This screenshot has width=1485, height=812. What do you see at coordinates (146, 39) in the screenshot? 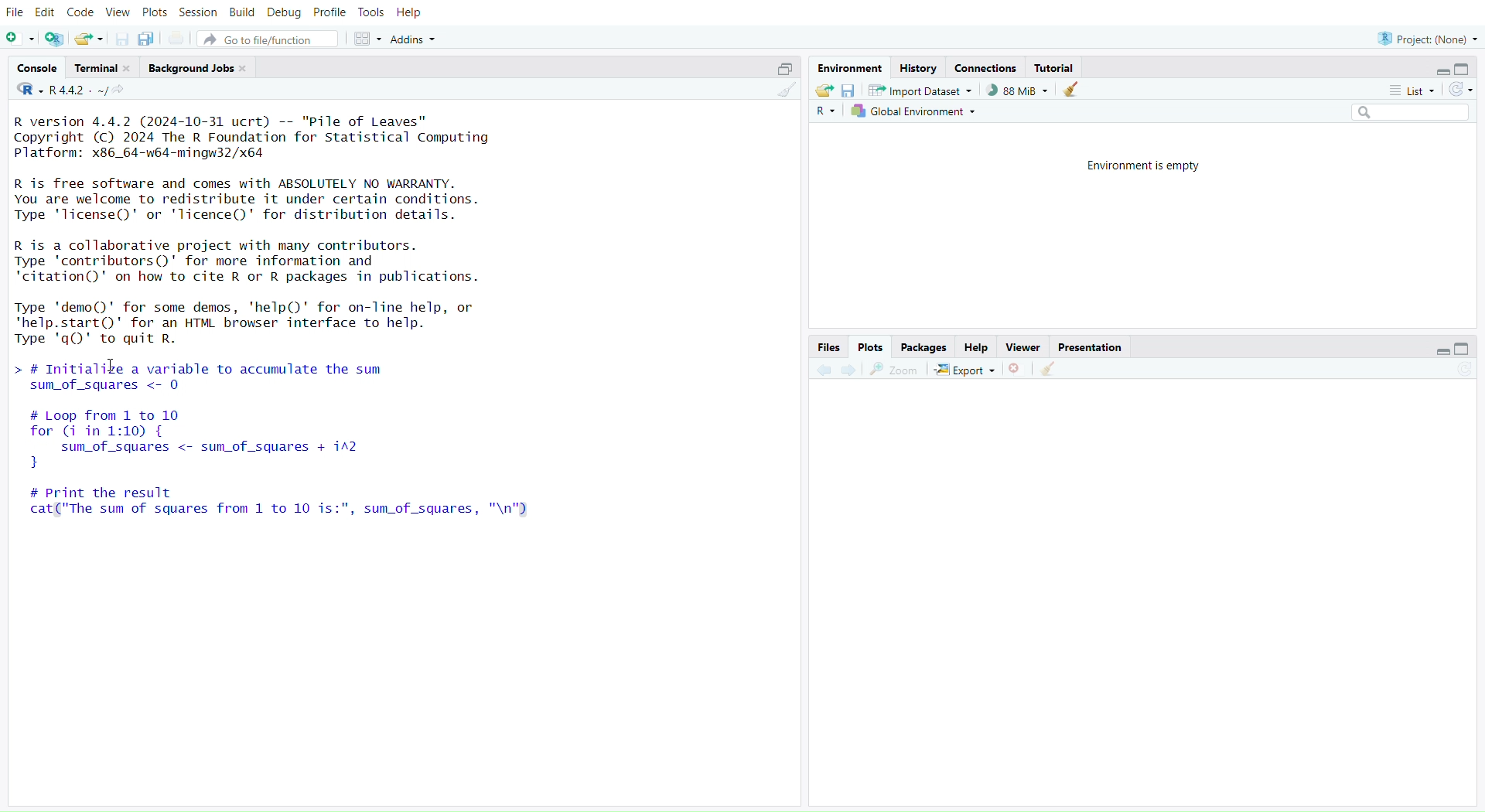
I see `save all open documents` at bounding box center [146, 39].